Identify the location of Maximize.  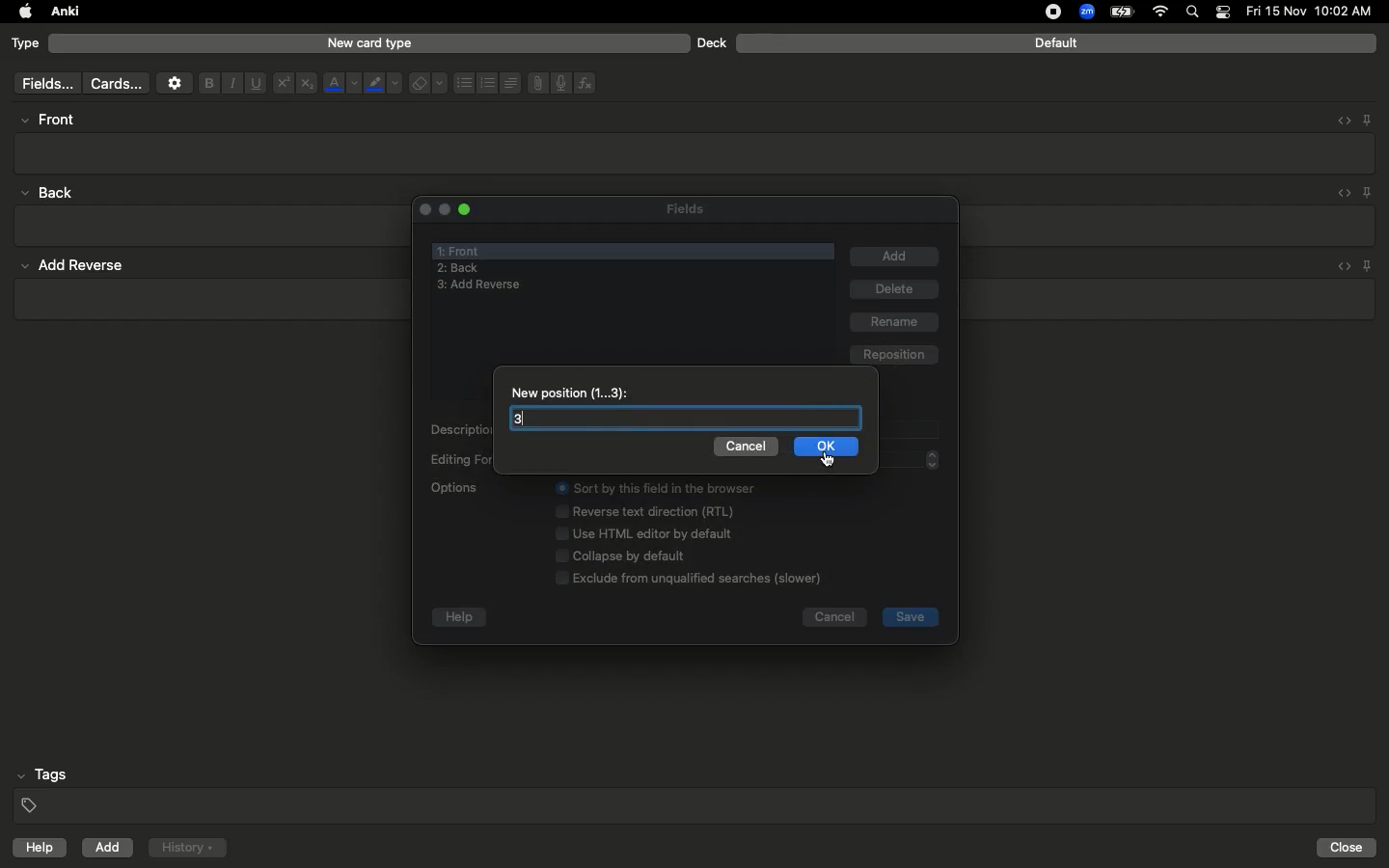
(467, 212).